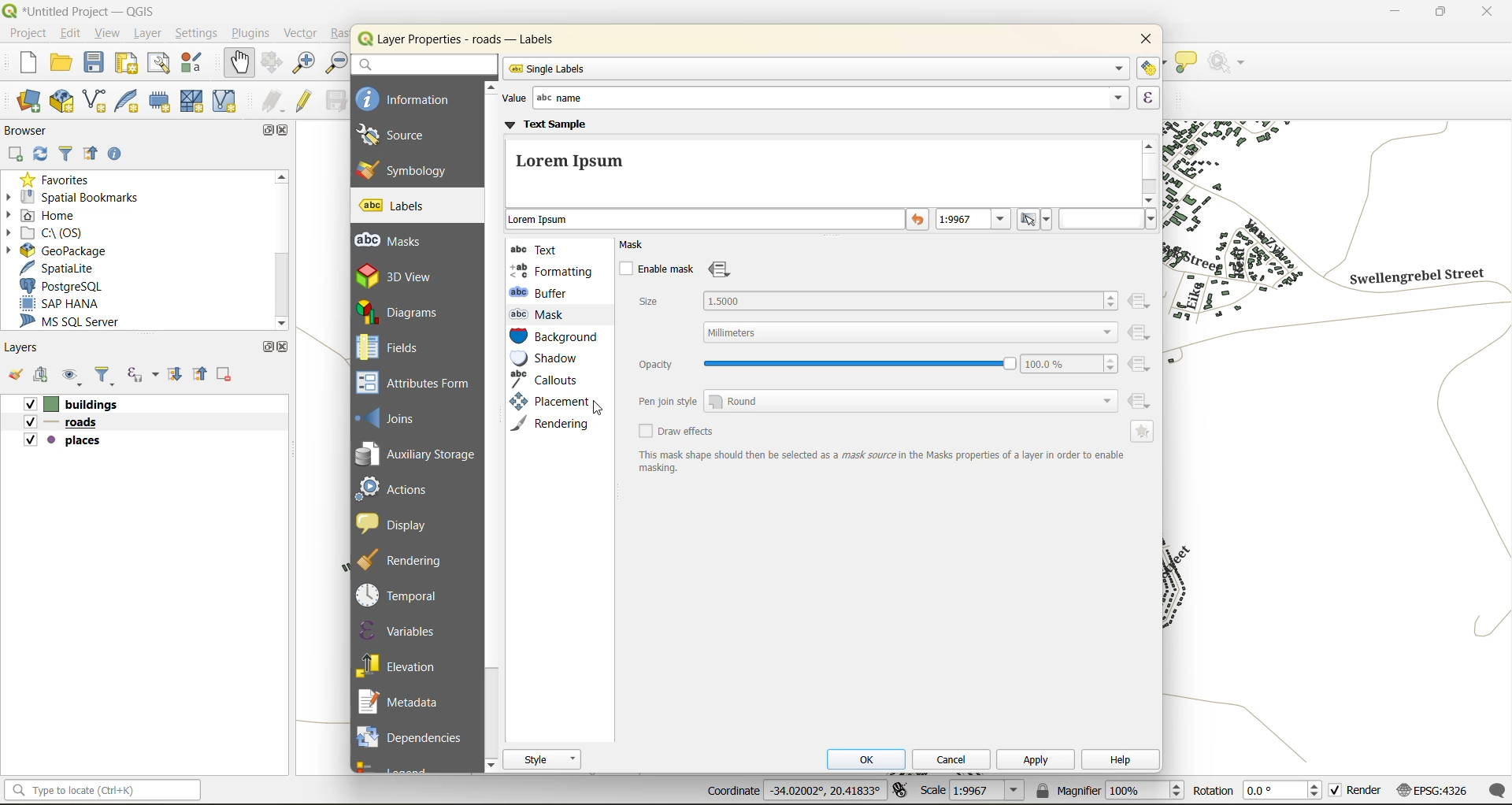  I want to click on new shapefile layer, so click(102, 102).